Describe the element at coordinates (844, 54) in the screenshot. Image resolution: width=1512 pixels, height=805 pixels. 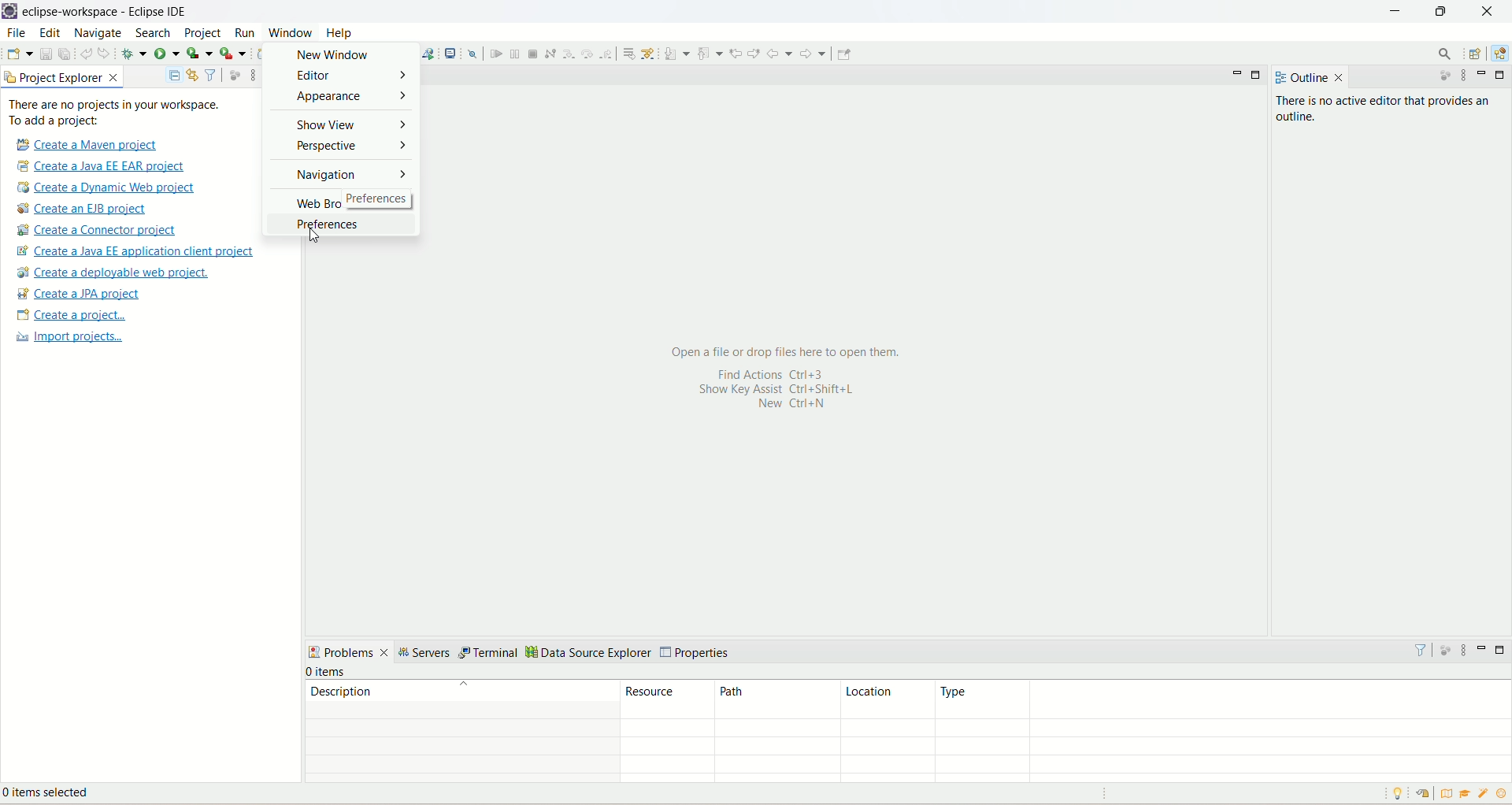
I see `pin editor` at that location.